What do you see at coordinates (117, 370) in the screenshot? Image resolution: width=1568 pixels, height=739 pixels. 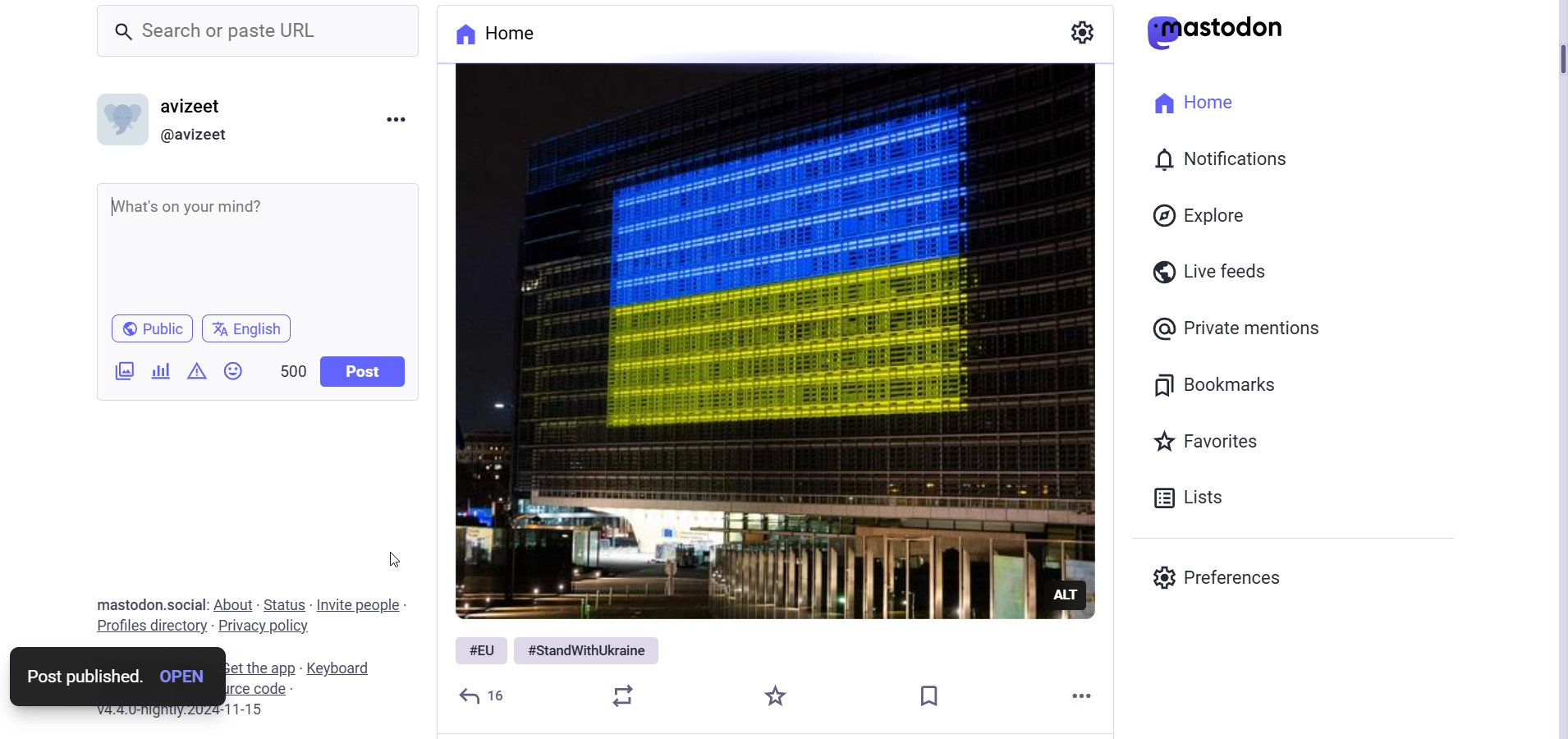 I see `Add Images` at bounding box center [117, 370].